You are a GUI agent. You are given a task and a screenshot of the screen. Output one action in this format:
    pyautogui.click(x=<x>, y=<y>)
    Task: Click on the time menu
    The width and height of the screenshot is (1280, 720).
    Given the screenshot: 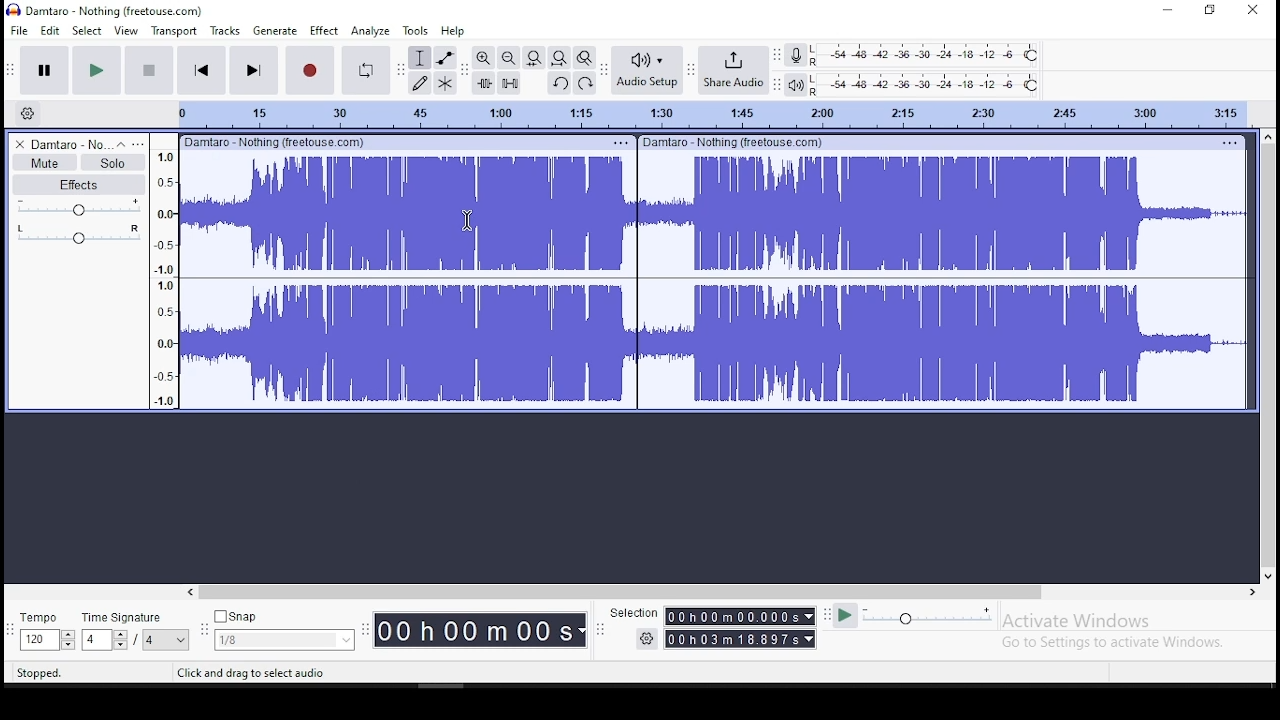 What is the action you would take?
    pyautogui.click(x=741, y=617)
    